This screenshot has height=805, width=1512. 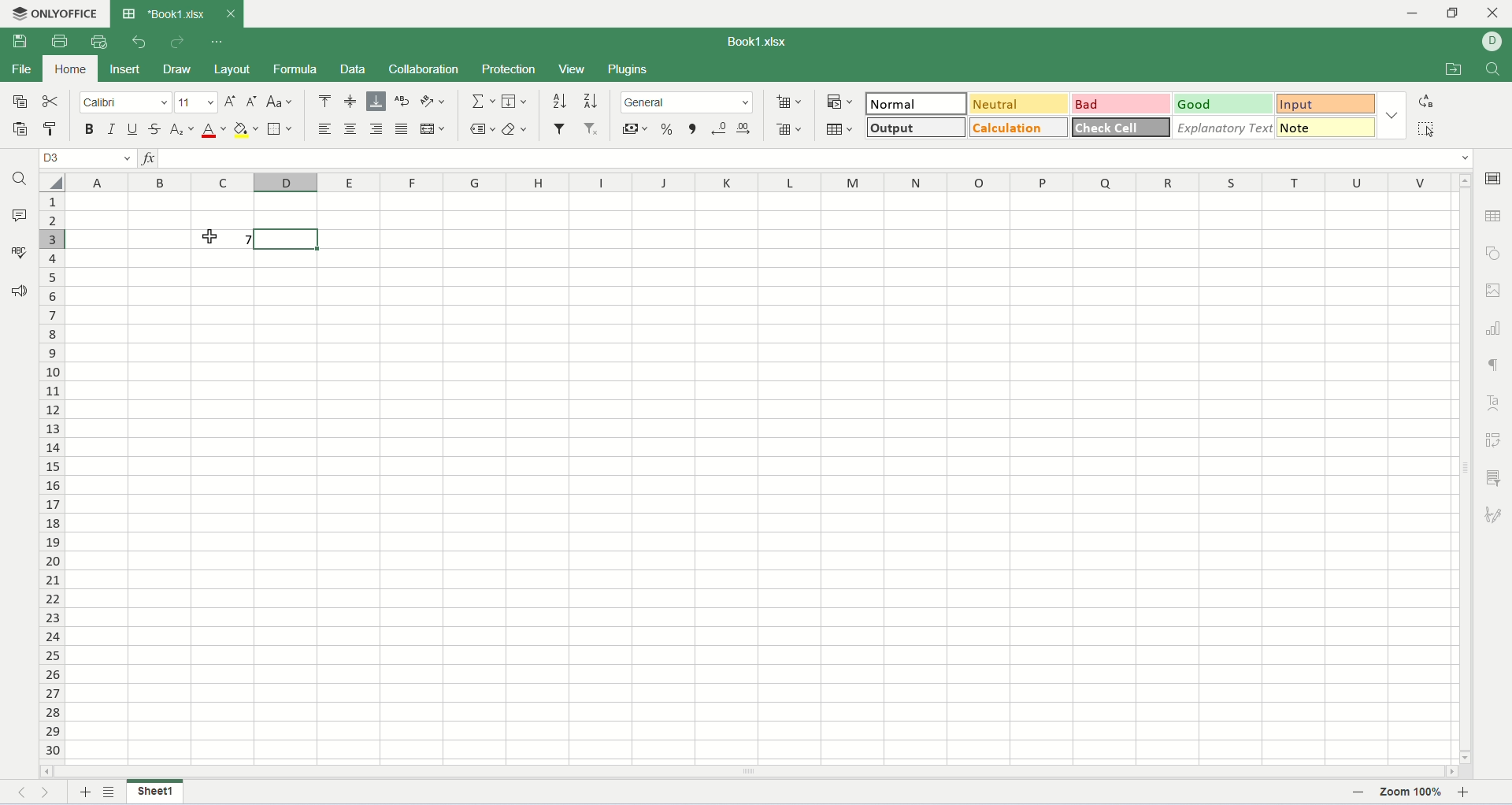 What do you see at coordinates (51, 102) in the screenshot?
I see `cut` at bounding box center [51, 102].